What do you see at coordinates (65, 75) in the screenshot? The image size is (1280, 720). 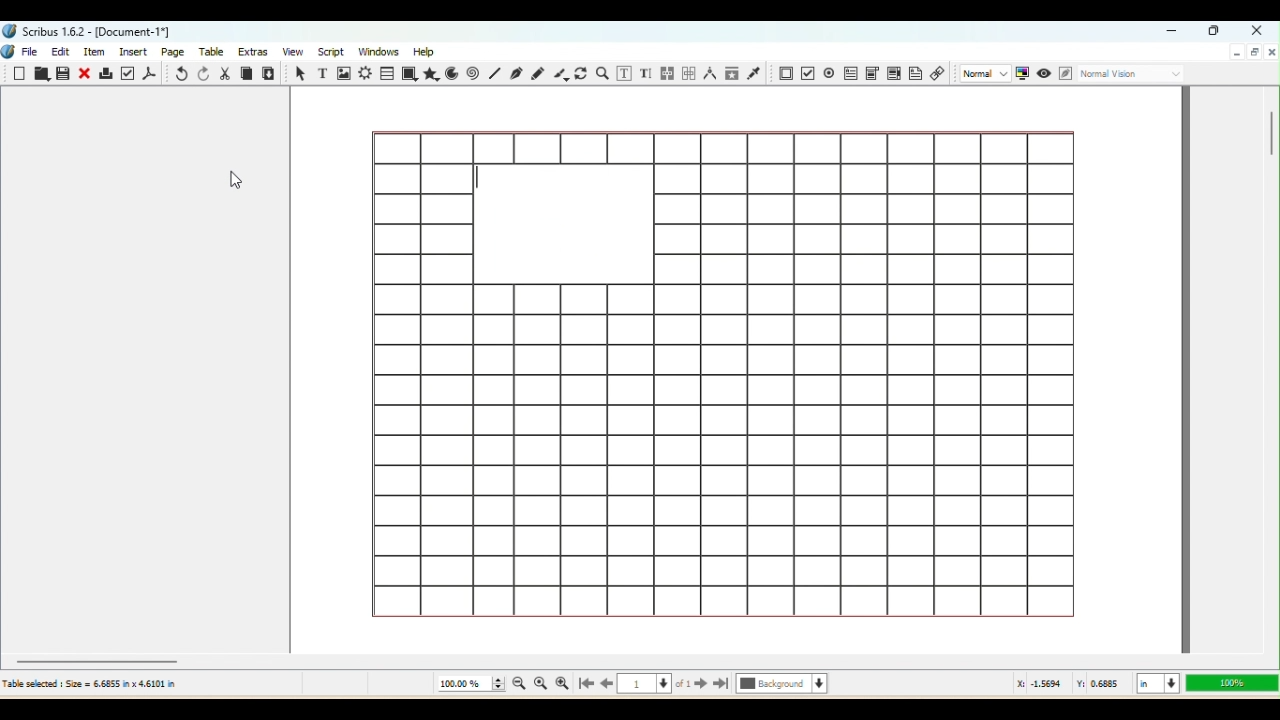 I see `Save` at bounding box center [65, 75].